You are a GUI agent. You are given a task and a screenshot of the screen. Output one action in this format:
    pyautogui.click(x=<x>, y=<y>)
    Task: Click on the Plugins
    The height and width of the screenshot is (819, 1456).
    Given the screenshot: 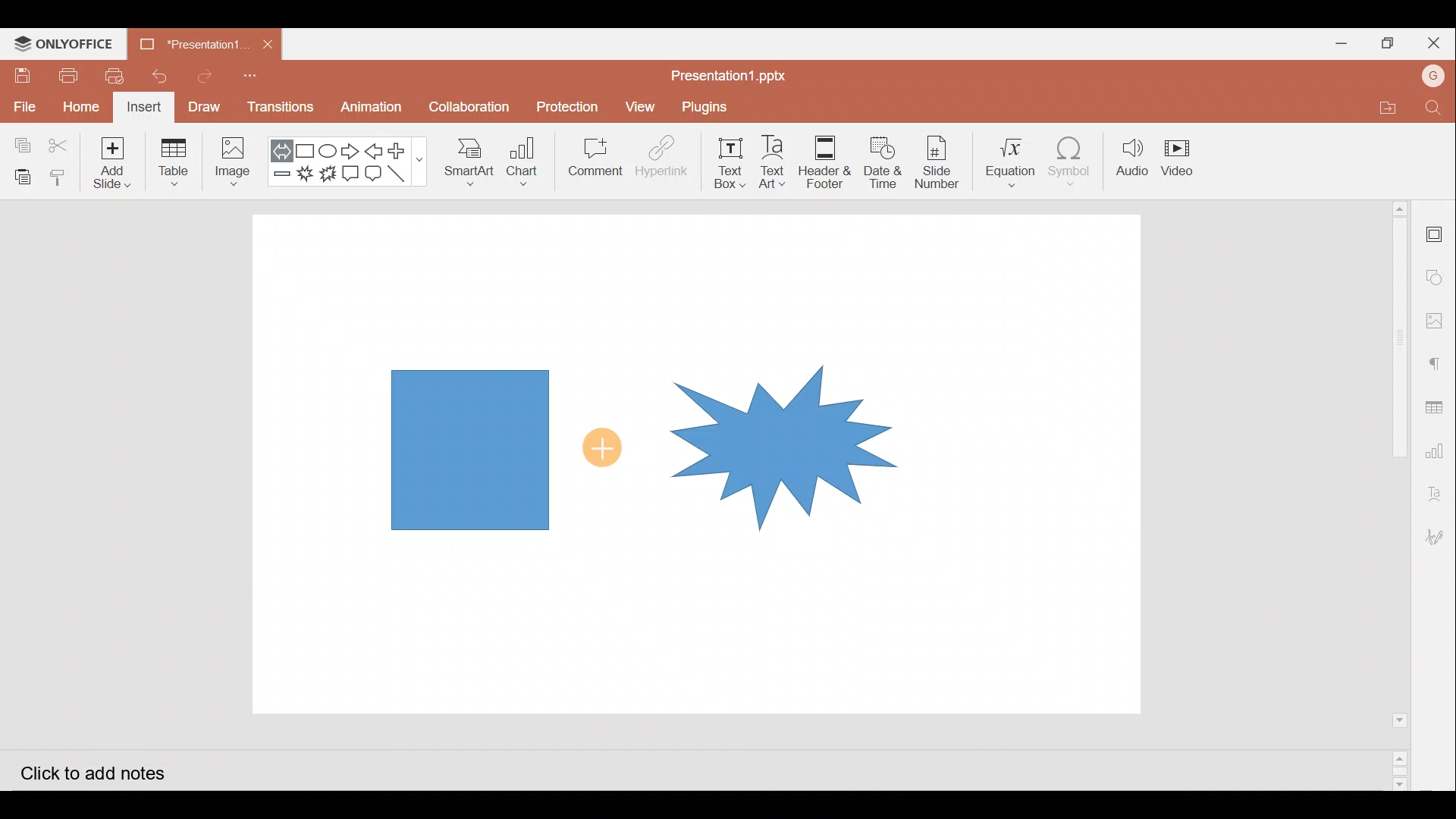 What is the action you would take?
    pyautogui.click(x=705, y=108)
    